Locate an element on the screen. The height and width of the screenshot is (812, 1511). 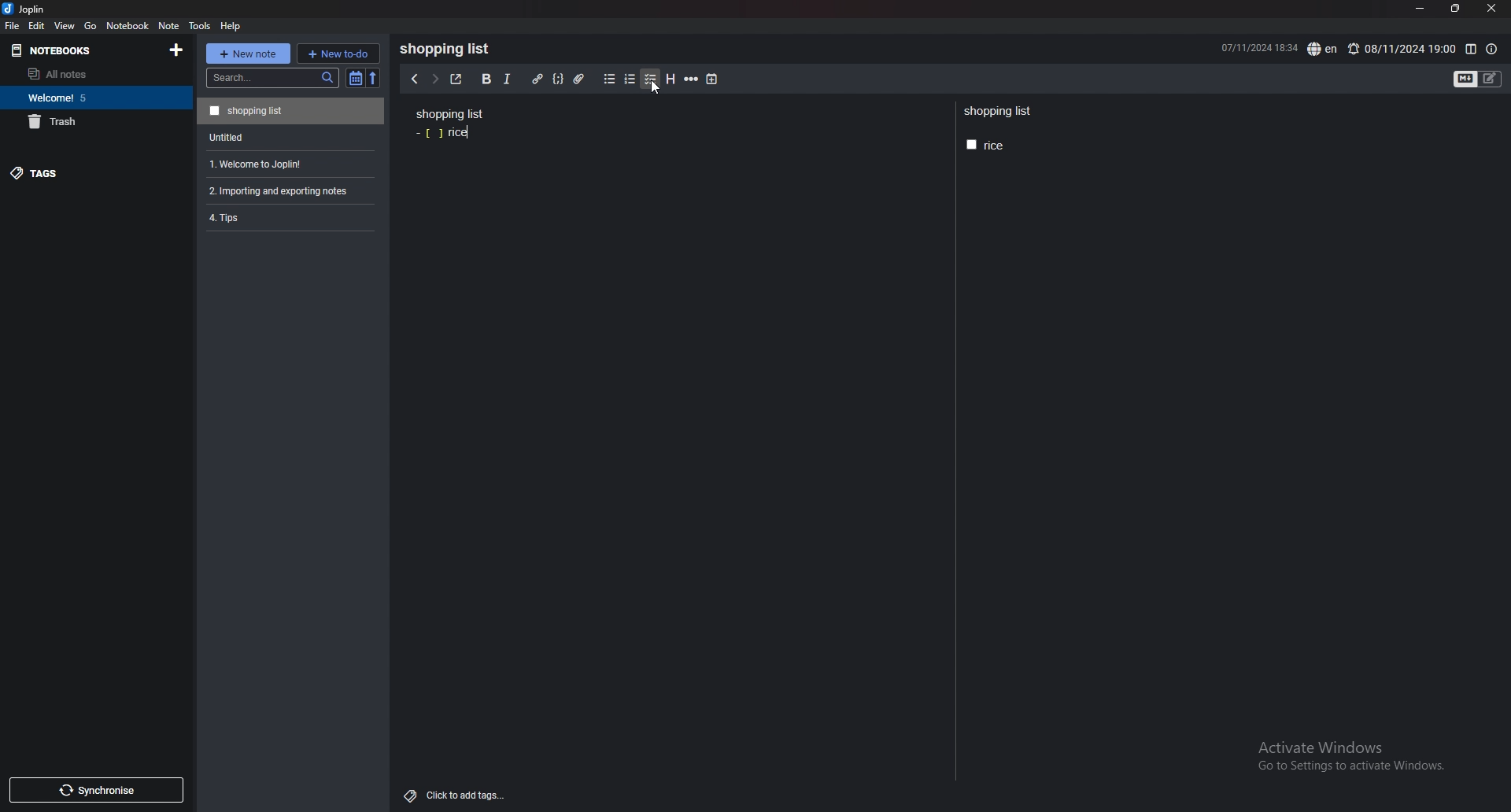
4.Tips. is located at coordinates (289, 217).